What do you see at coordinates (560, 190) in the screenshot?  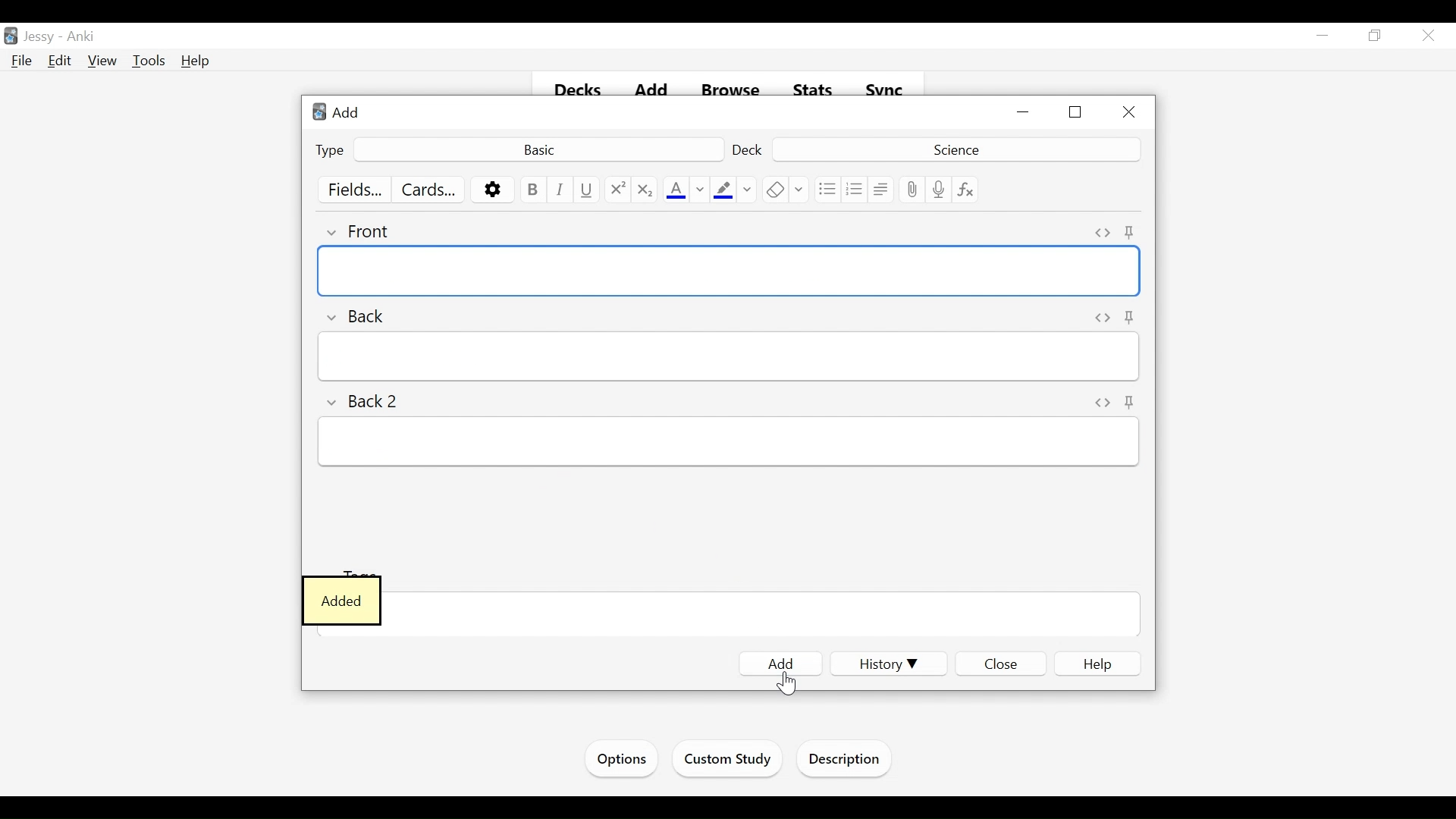 I see `Italics` at bounding box center [560, 190].